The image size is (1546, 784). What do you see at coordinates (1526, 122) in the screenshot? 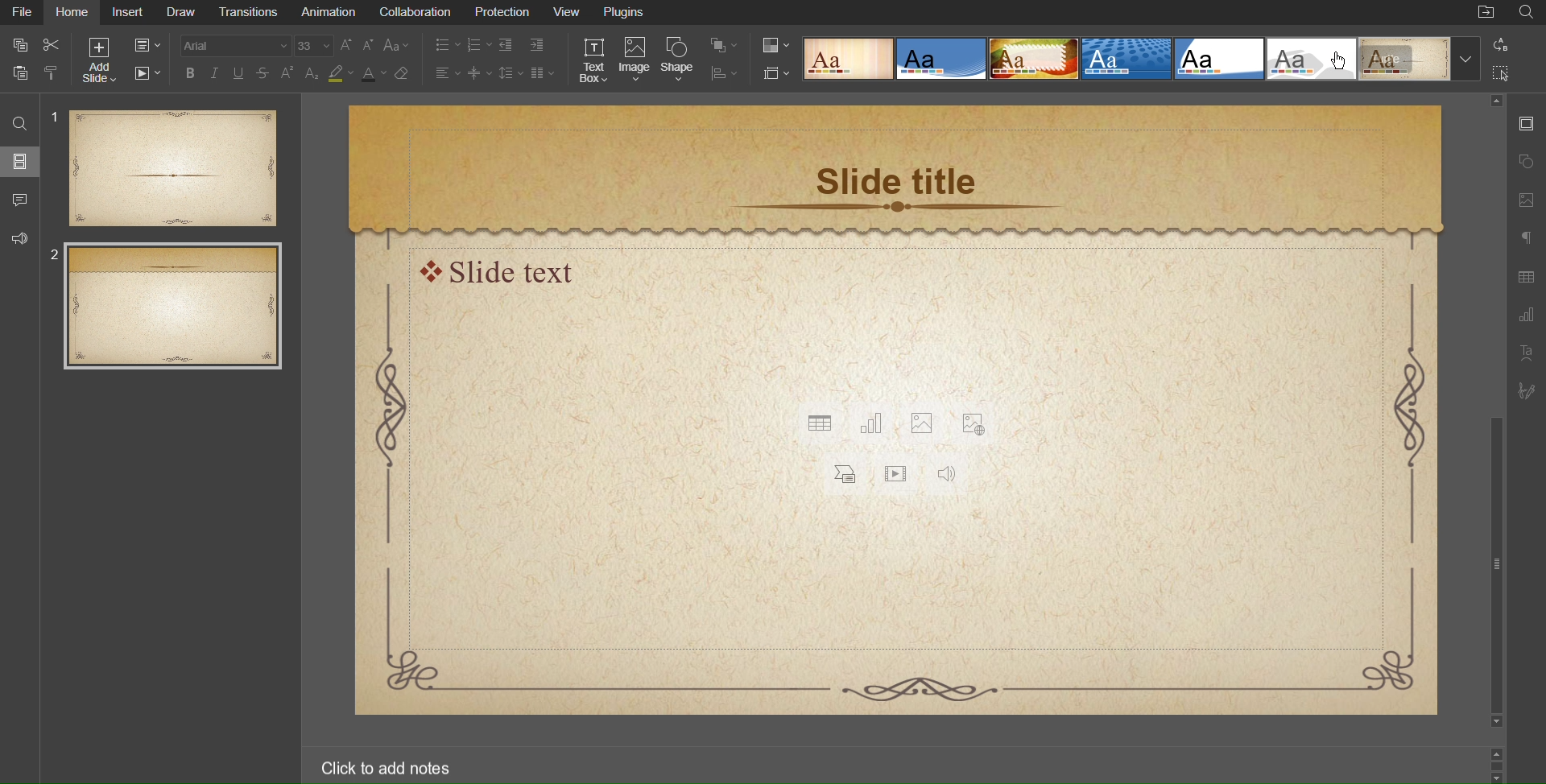
I see `Slide Settings` at bounding box center [1526, 122].